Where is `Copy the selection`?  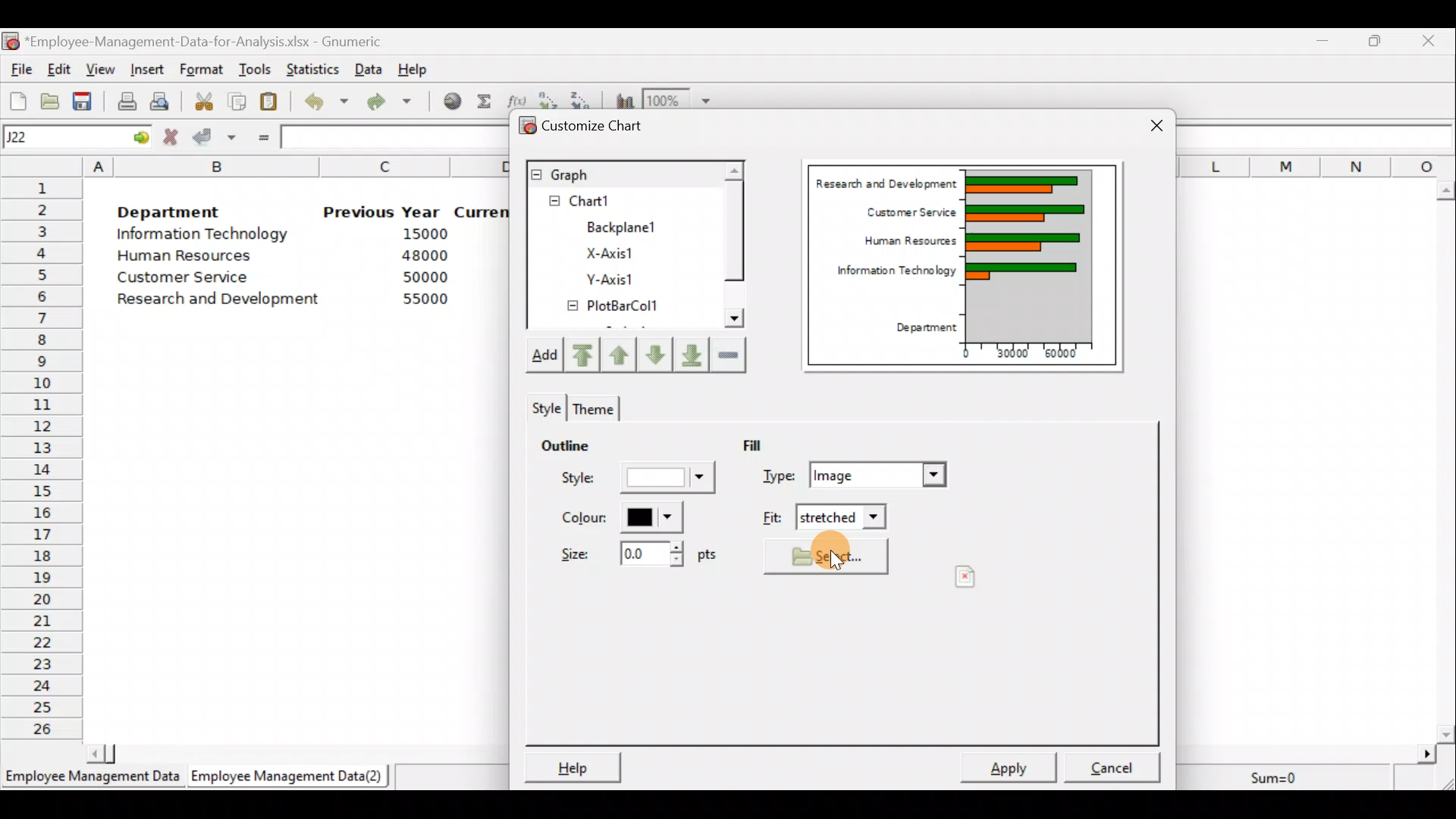 Copy the selection is located at coordinates (241, 102).